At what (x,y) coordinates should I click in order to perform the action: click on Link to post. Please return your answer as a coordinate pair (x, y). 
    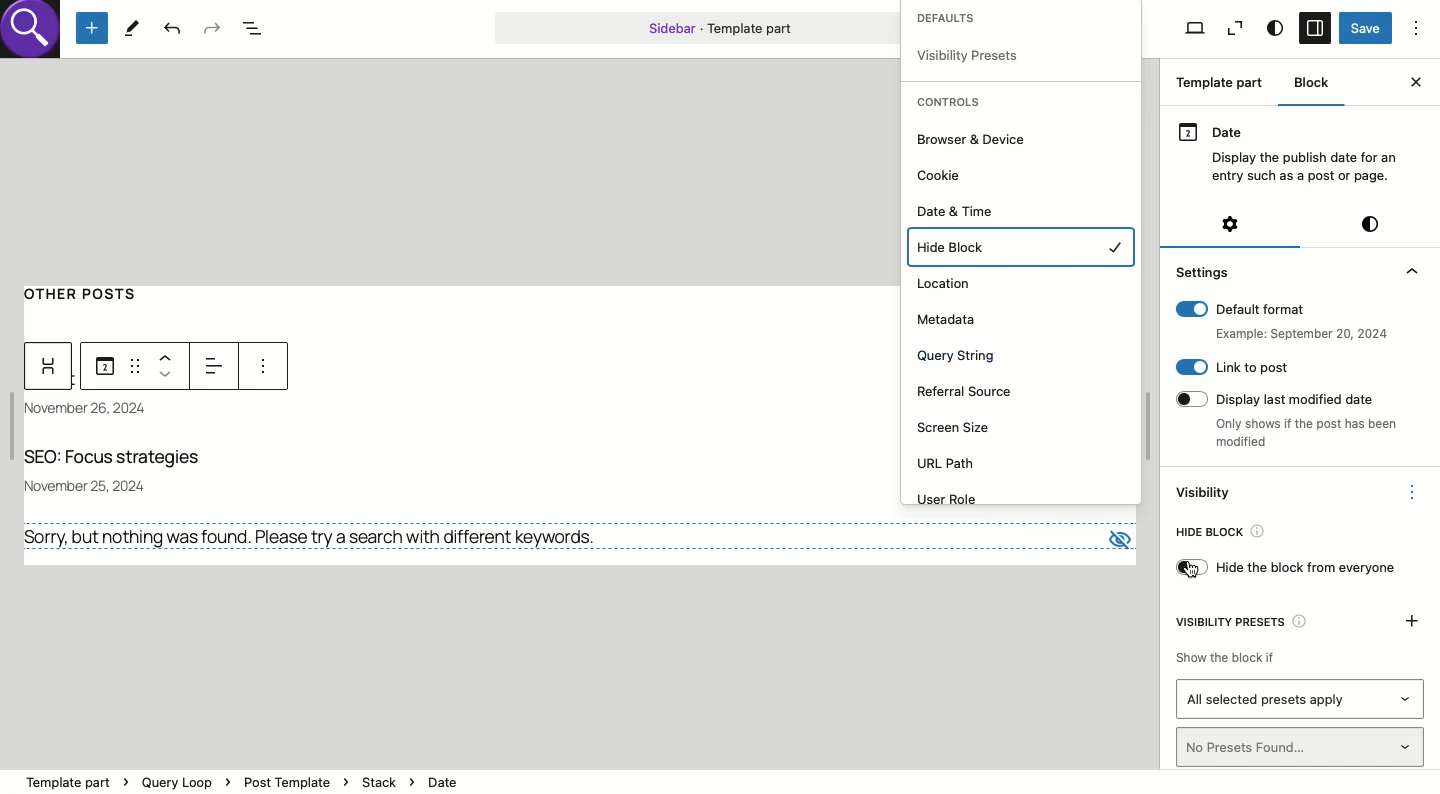
    Looking at the image, I should click on (1232, 367).